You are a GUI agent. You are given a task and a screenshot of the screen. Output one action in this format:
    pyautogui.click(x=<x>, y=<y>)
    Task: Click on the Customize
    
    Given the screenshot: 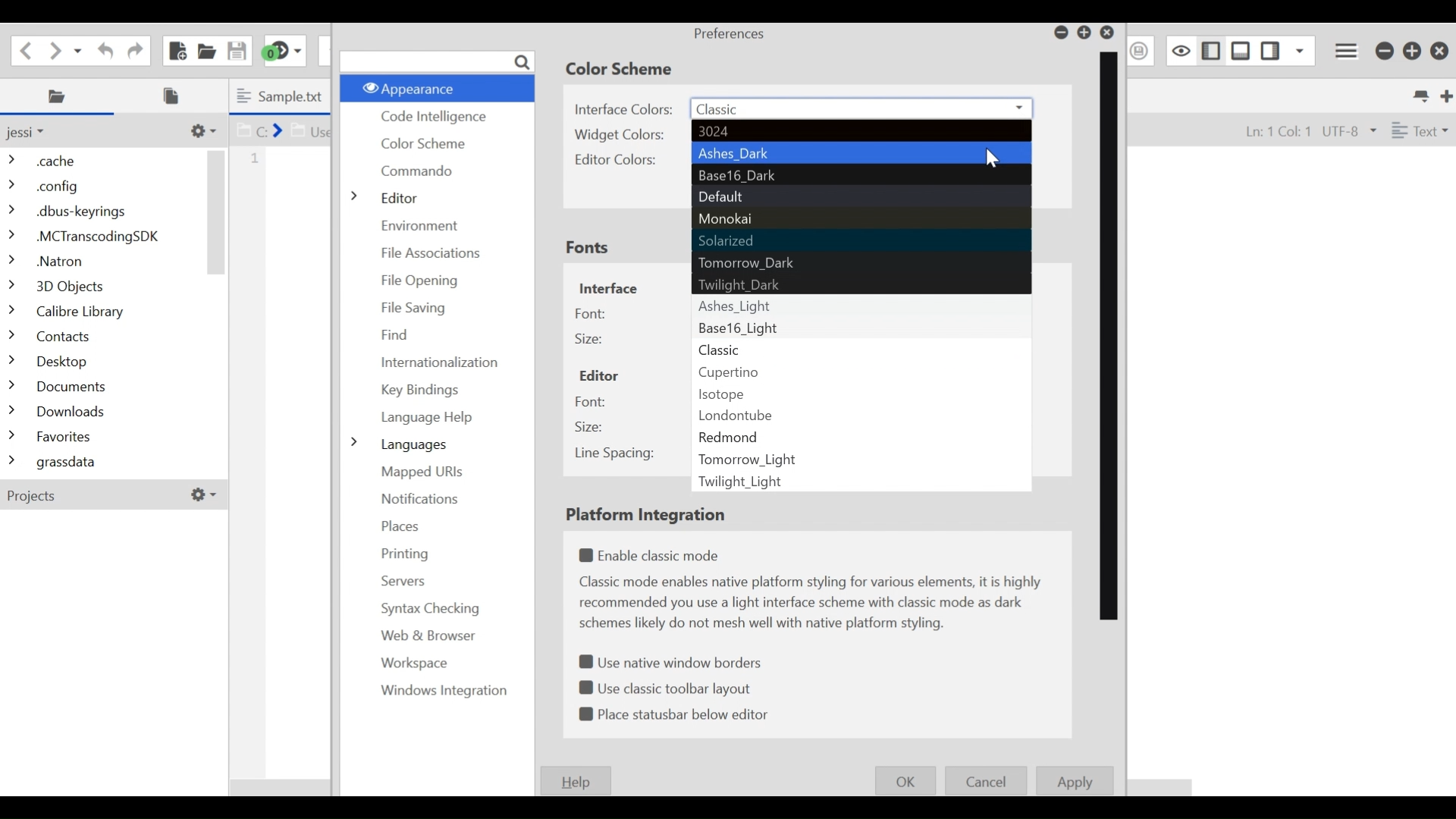 What is the action you would take?
    pyautogui.click(x=201, y=130)
    